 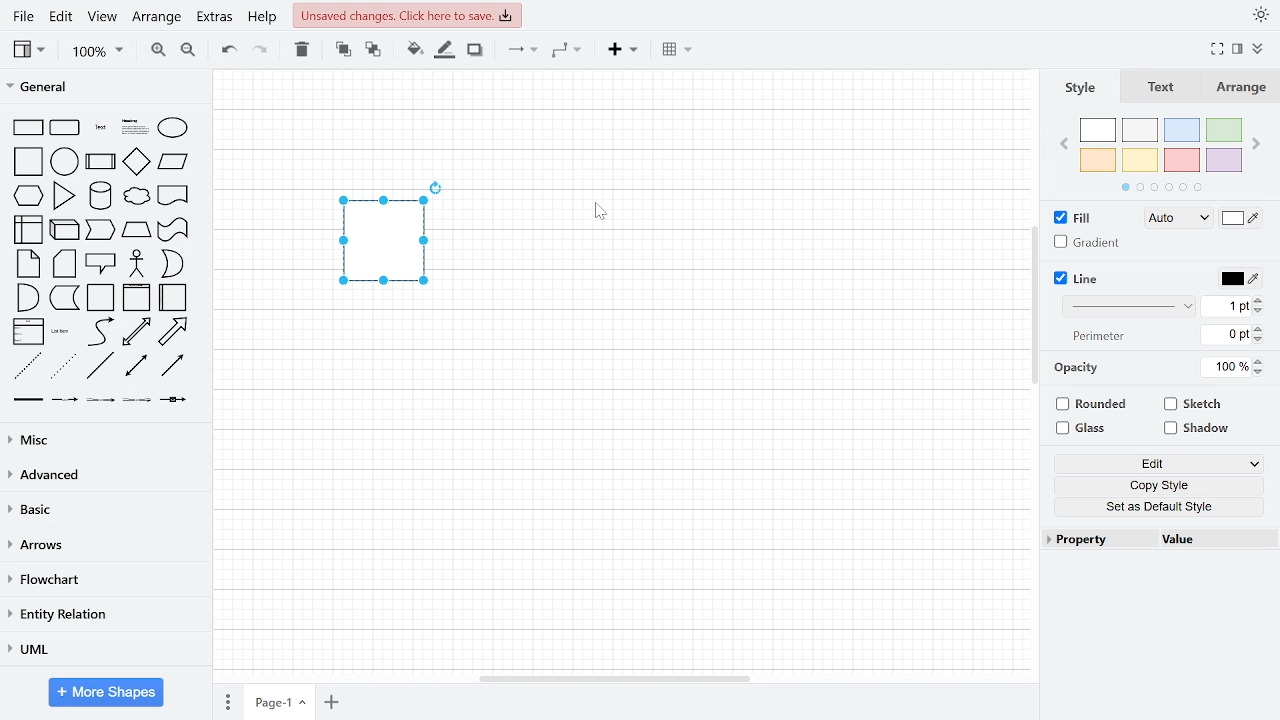 What do you see at coordinates (137, 366) in the screenshot?
I see `bidirectional connector` at bounding box center [137, 366].